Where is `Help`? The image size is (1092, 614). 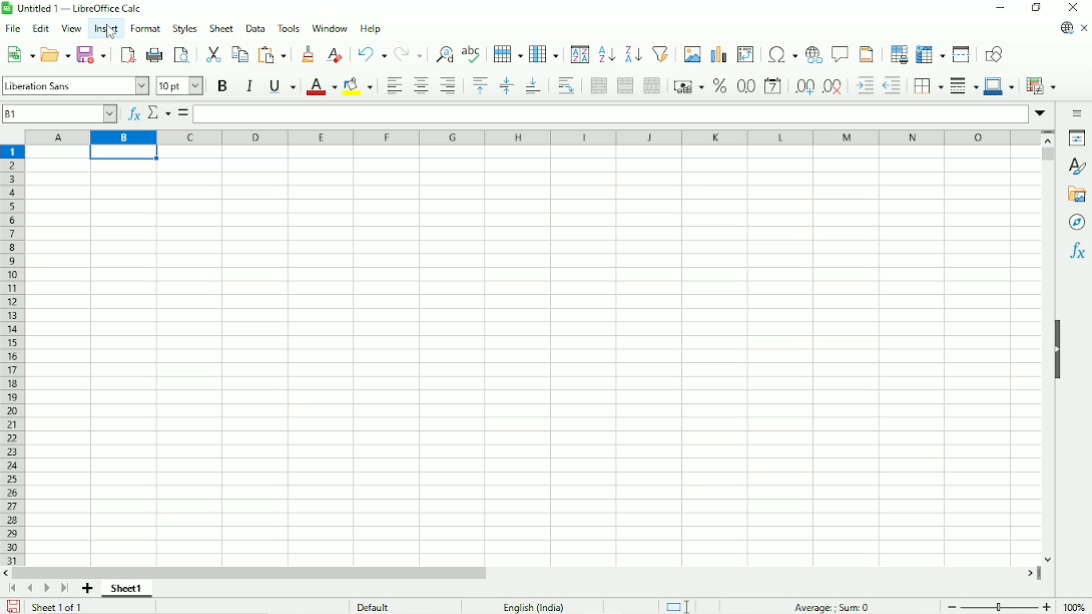
Help is located at coordinates (370, 29).